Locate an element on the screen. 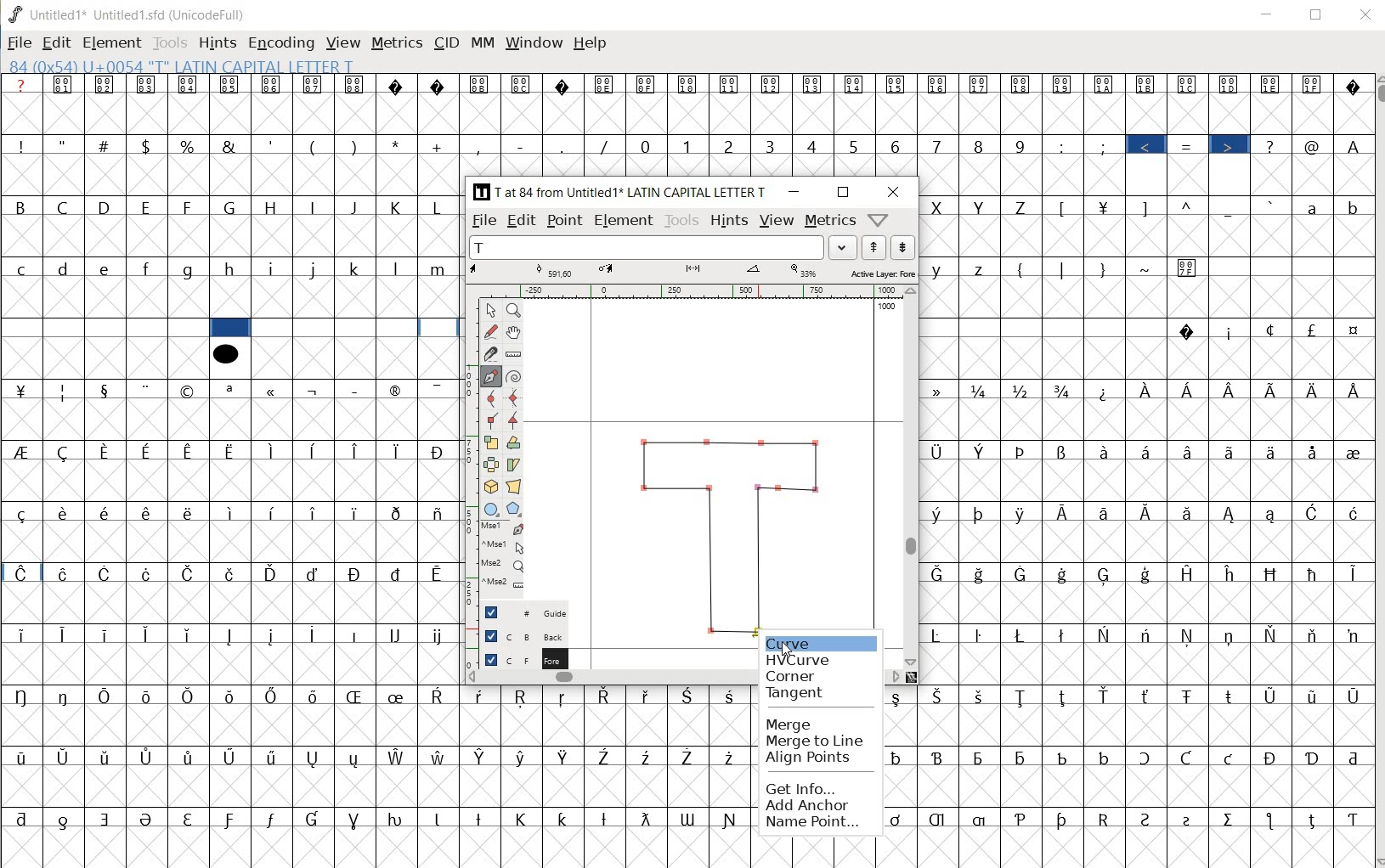  Symbol is located at coordinates (105, 389).